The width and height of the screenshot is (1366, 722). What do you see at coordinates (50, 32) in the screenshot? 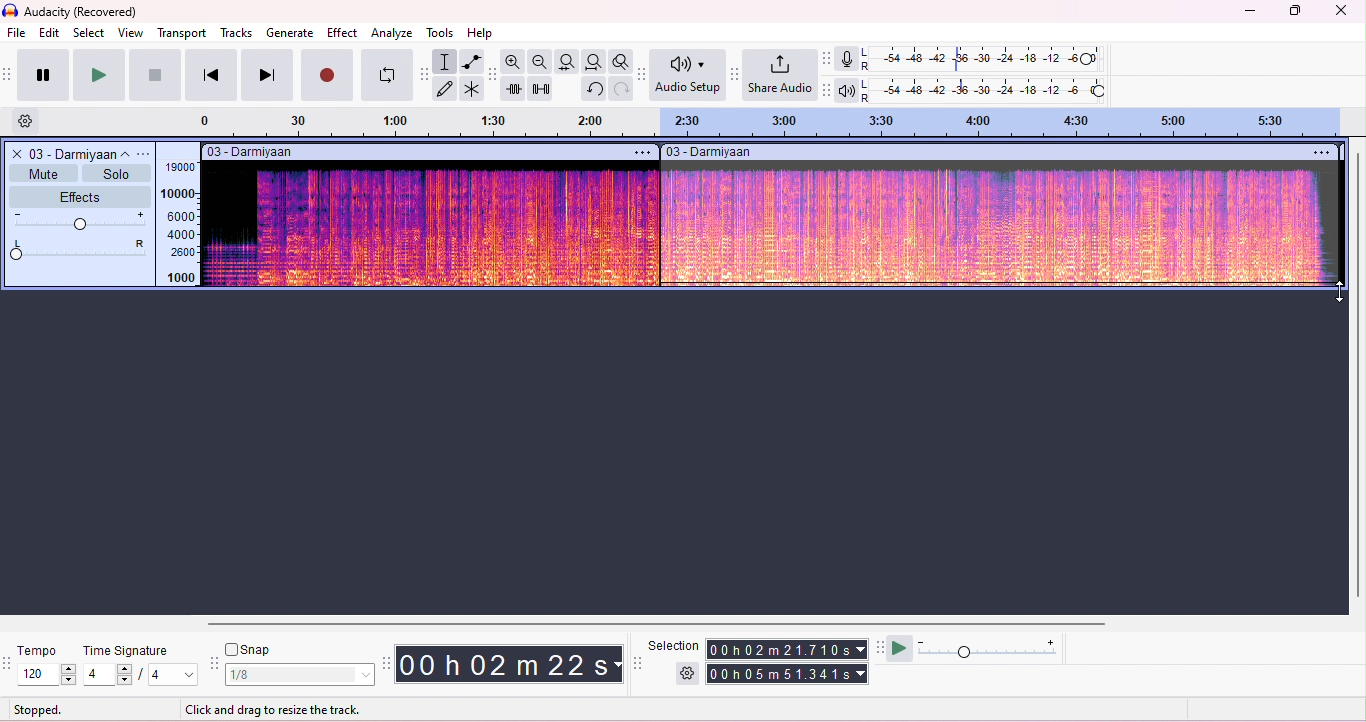
I see `edit` at bounding box center [50, 32].